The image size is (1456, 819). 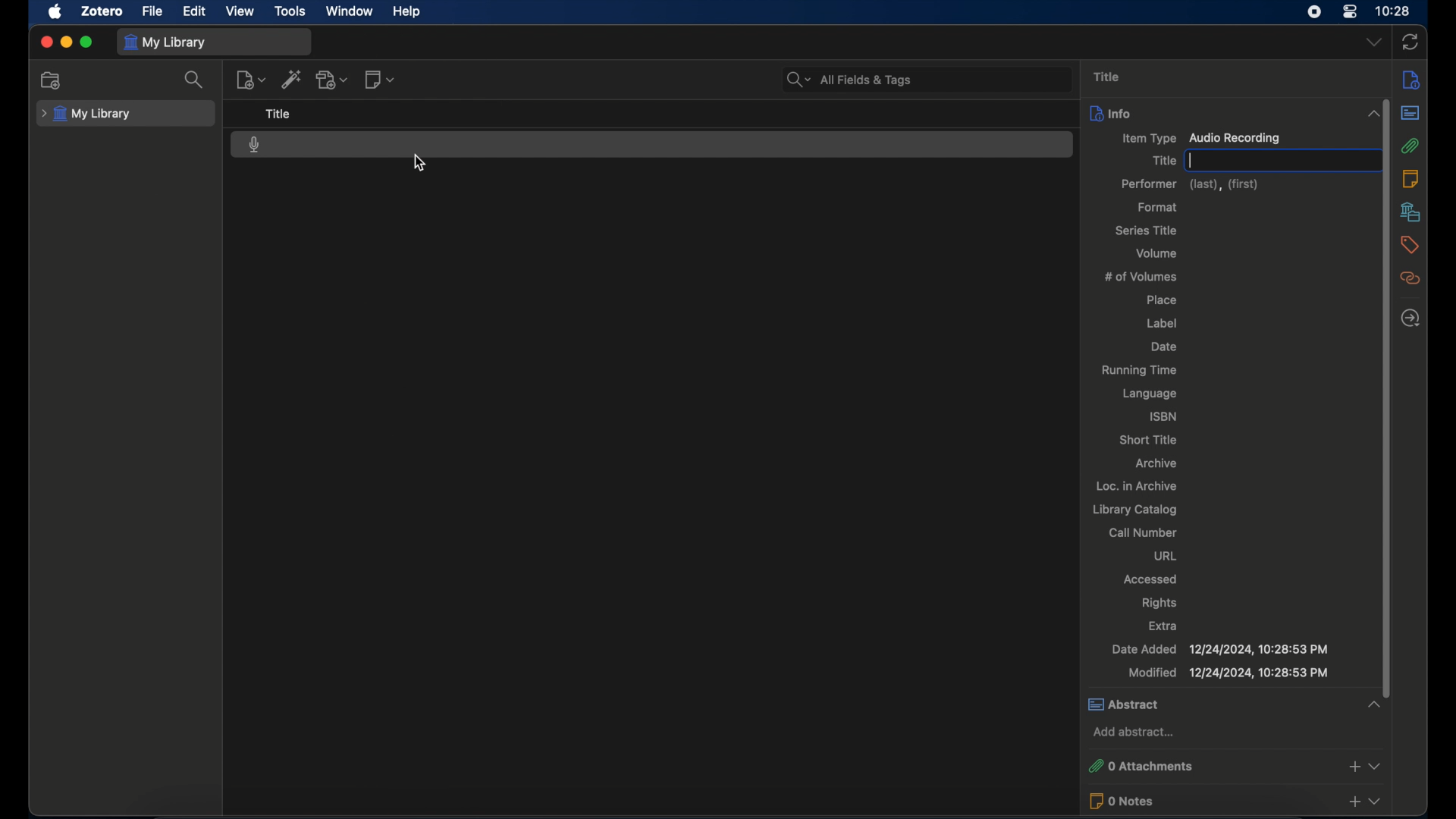 I want to click on rights, so click(x=1159, y=602).